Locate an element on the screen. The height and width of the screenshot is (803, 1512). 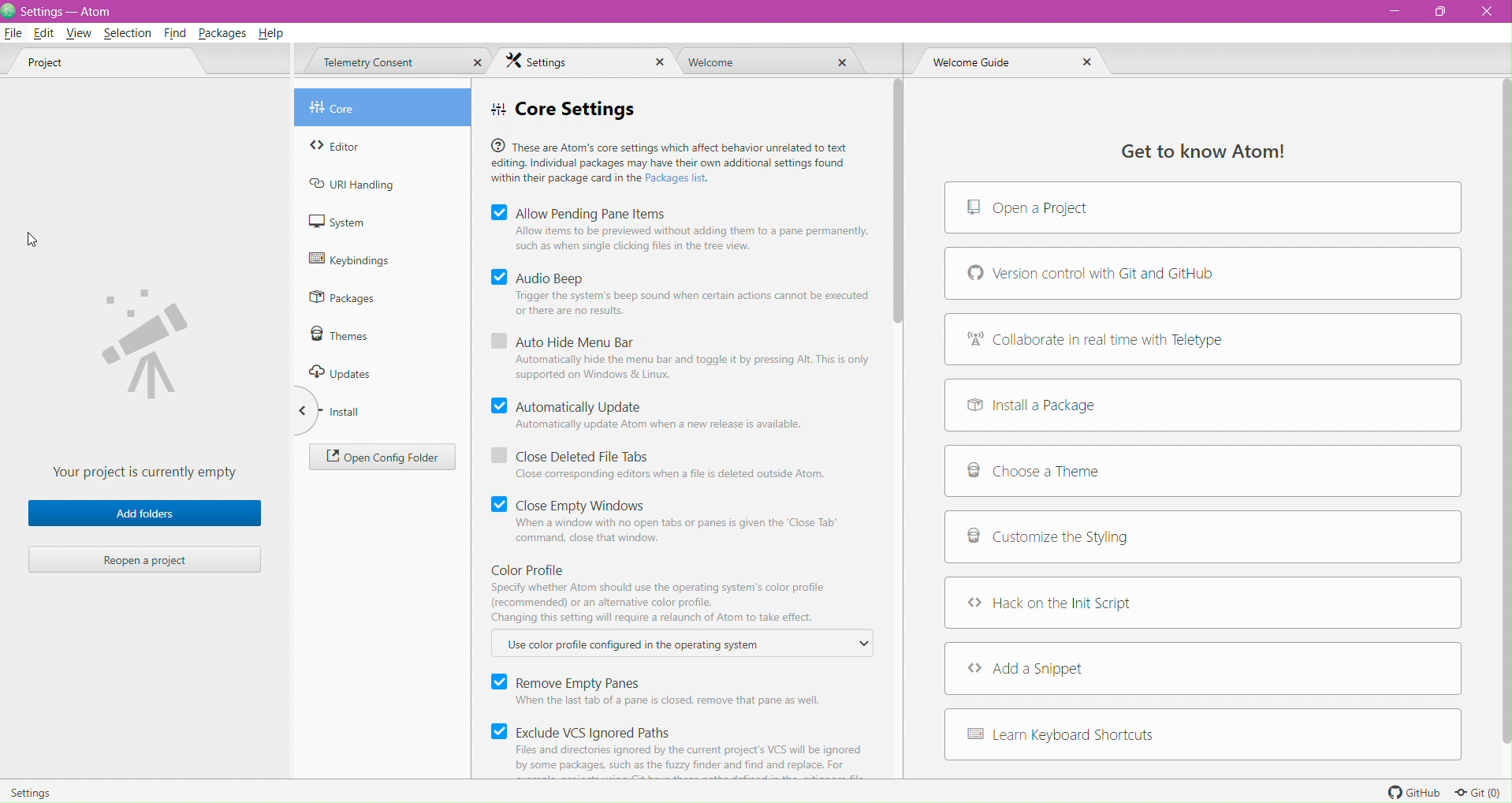
Open Config Folder is located at coordinates (381, 458).